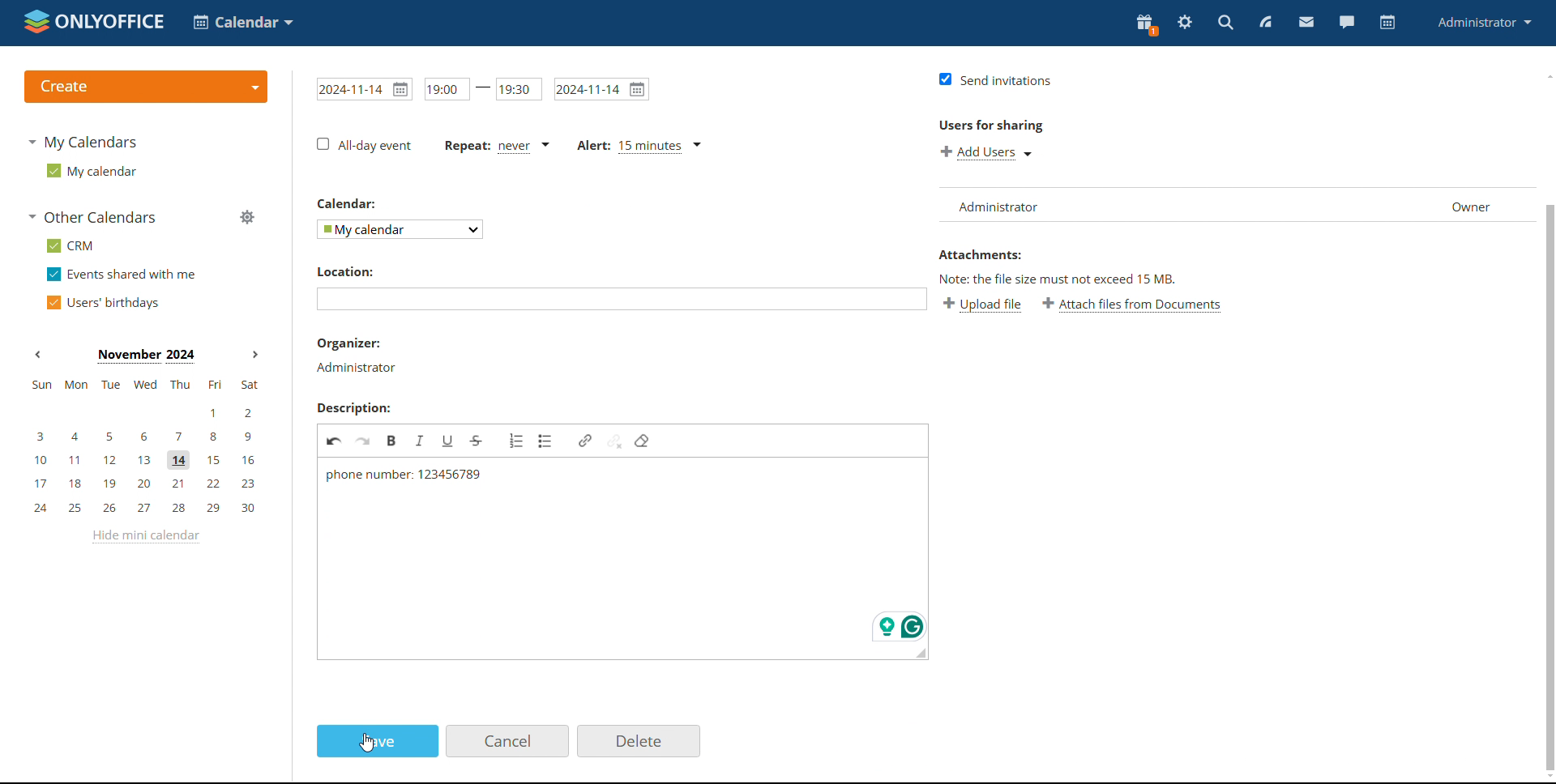 This screenshot has height=784, width=1556. What do you see at coordinates (245, 21) in the screenshot?
I see `select application` at bounding box center [245, 21].